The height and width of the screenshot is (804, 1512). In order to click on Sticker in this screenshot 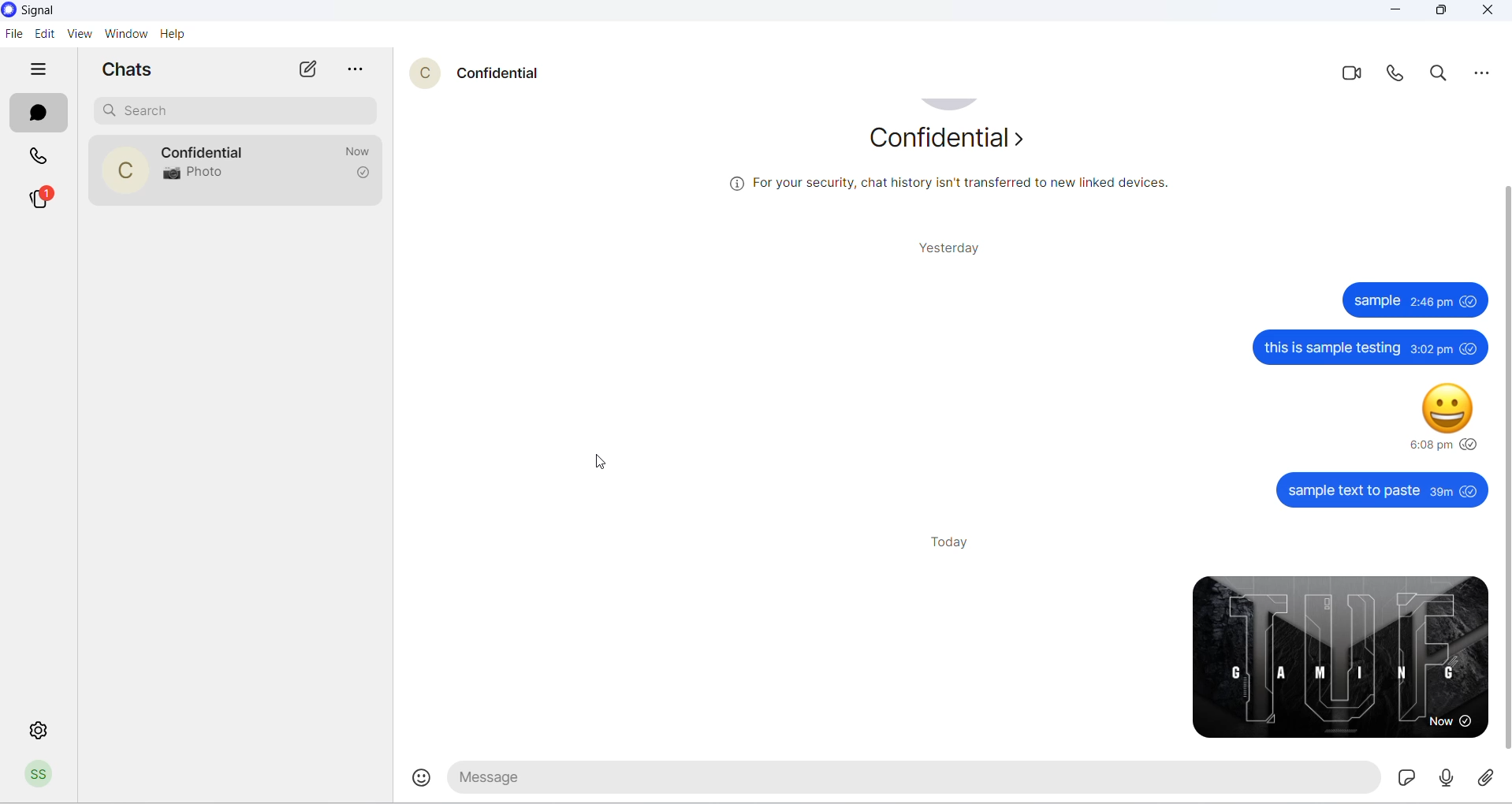, I will do `click(1443, 776)`.